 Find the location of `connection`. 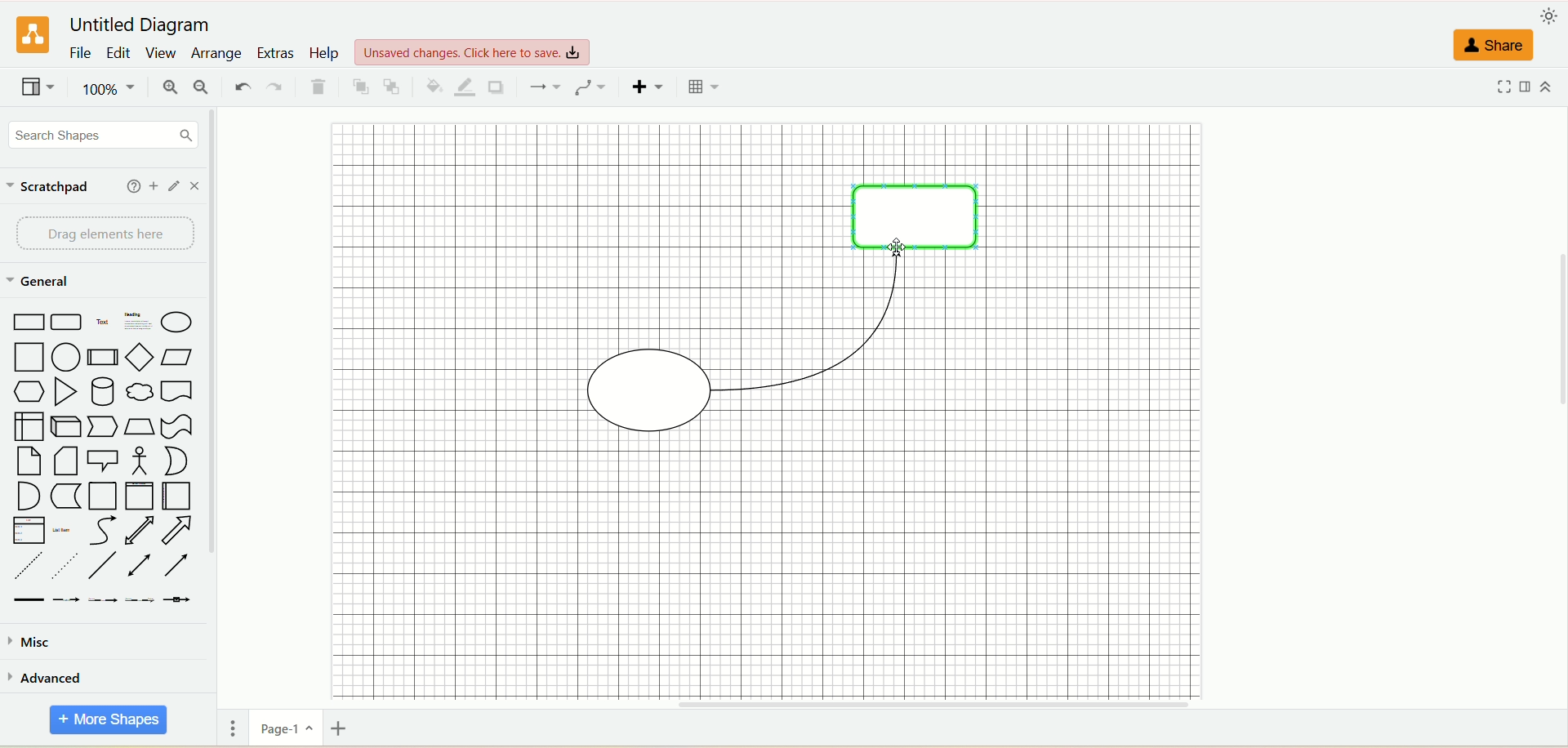

connection is located at coordinates (543, 86).